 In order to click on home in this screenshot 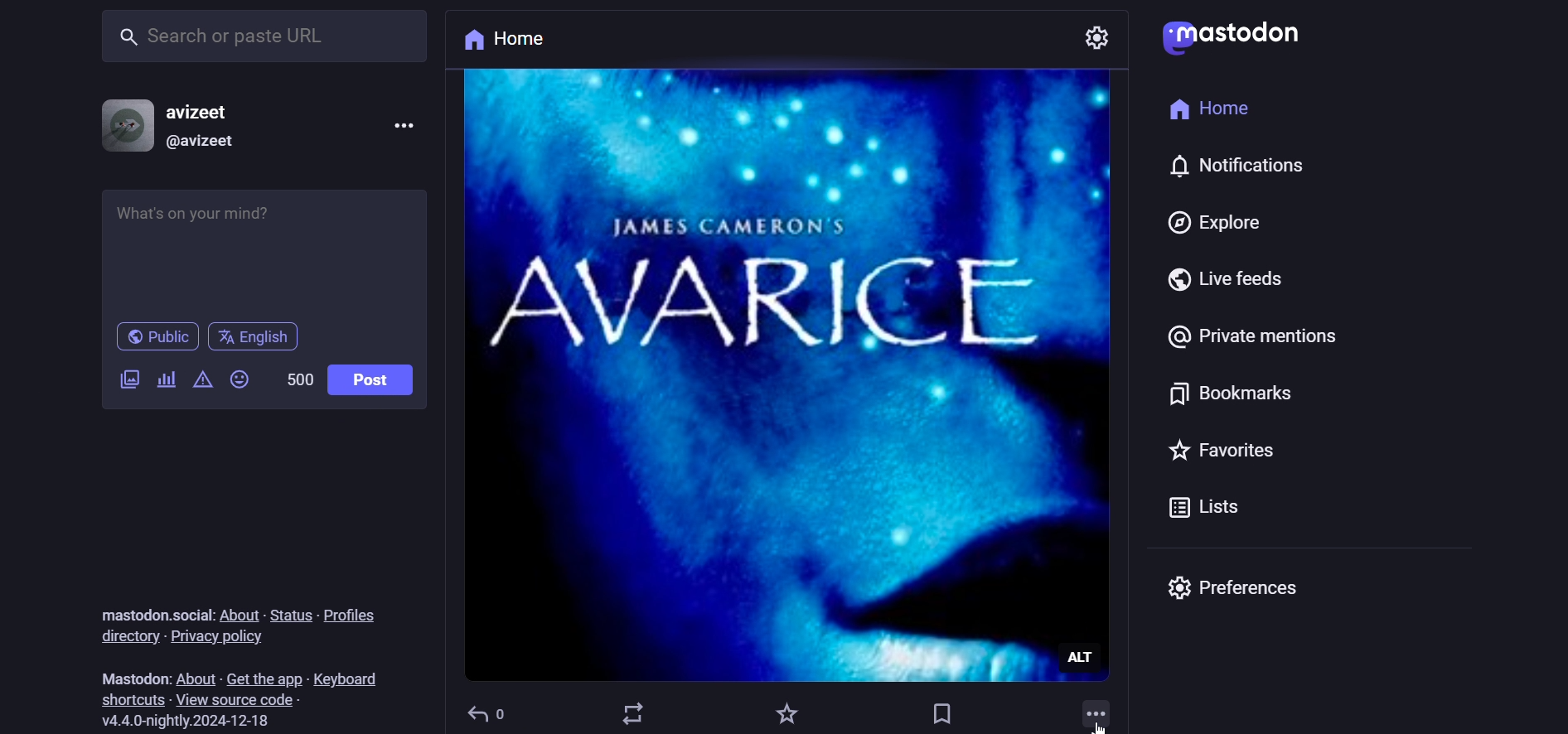, I will do `click(1211, 105)`.